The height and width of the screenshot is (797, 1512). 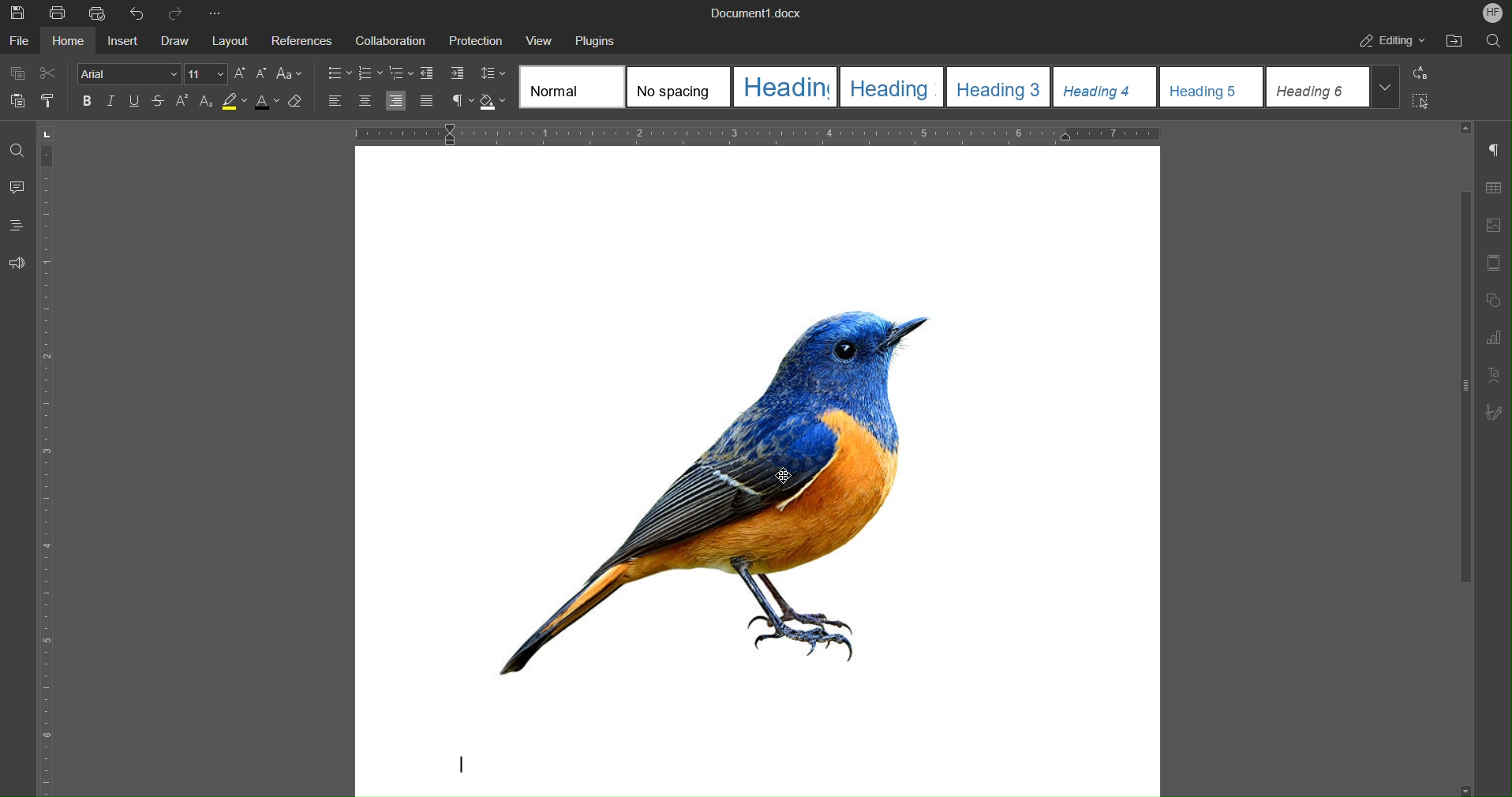 I want to click on Open File Location, so click(x=1454, y=42).